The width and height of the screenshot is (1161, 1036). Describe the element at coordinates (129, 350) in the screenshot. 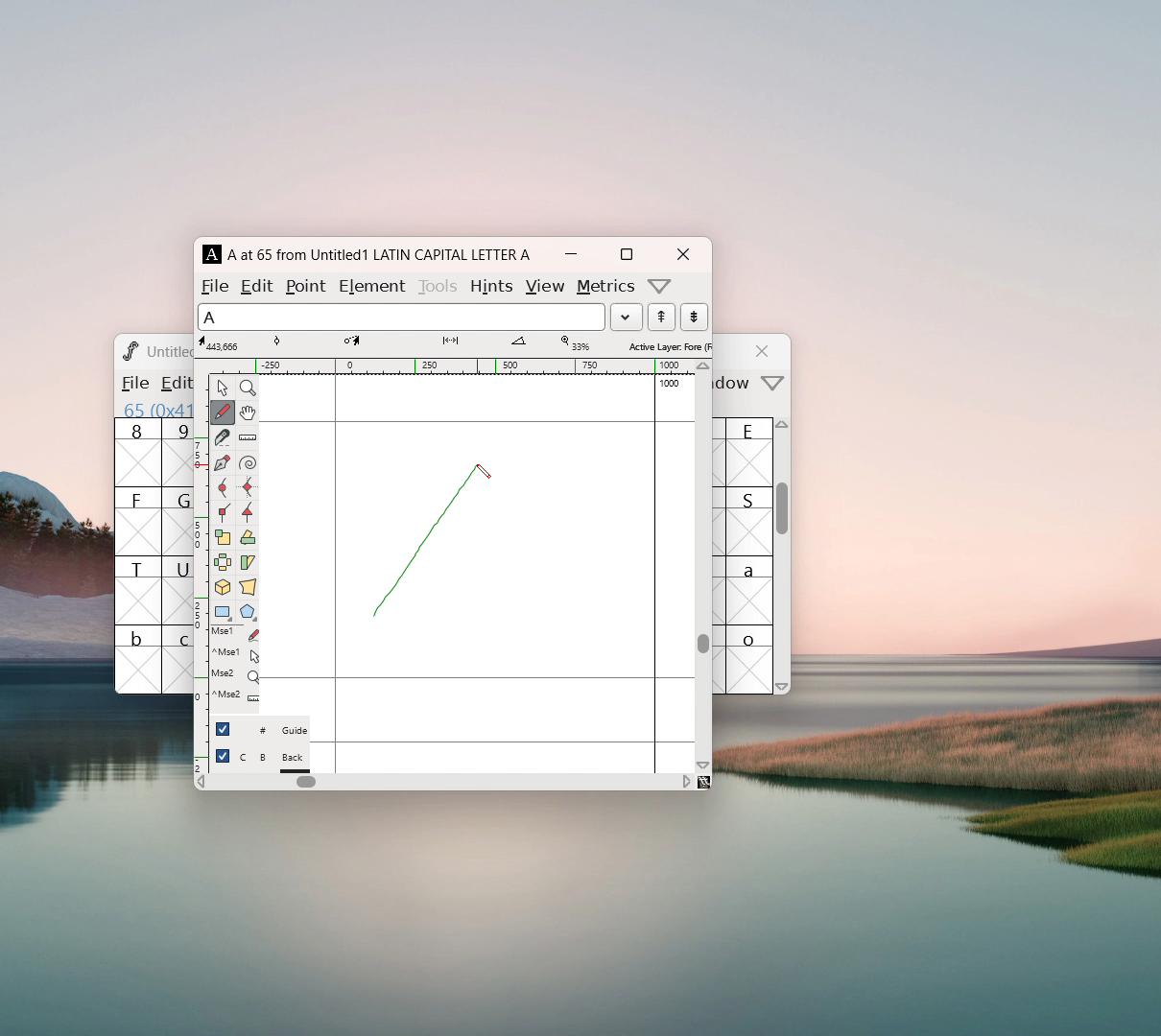

I see `logo` at that location.